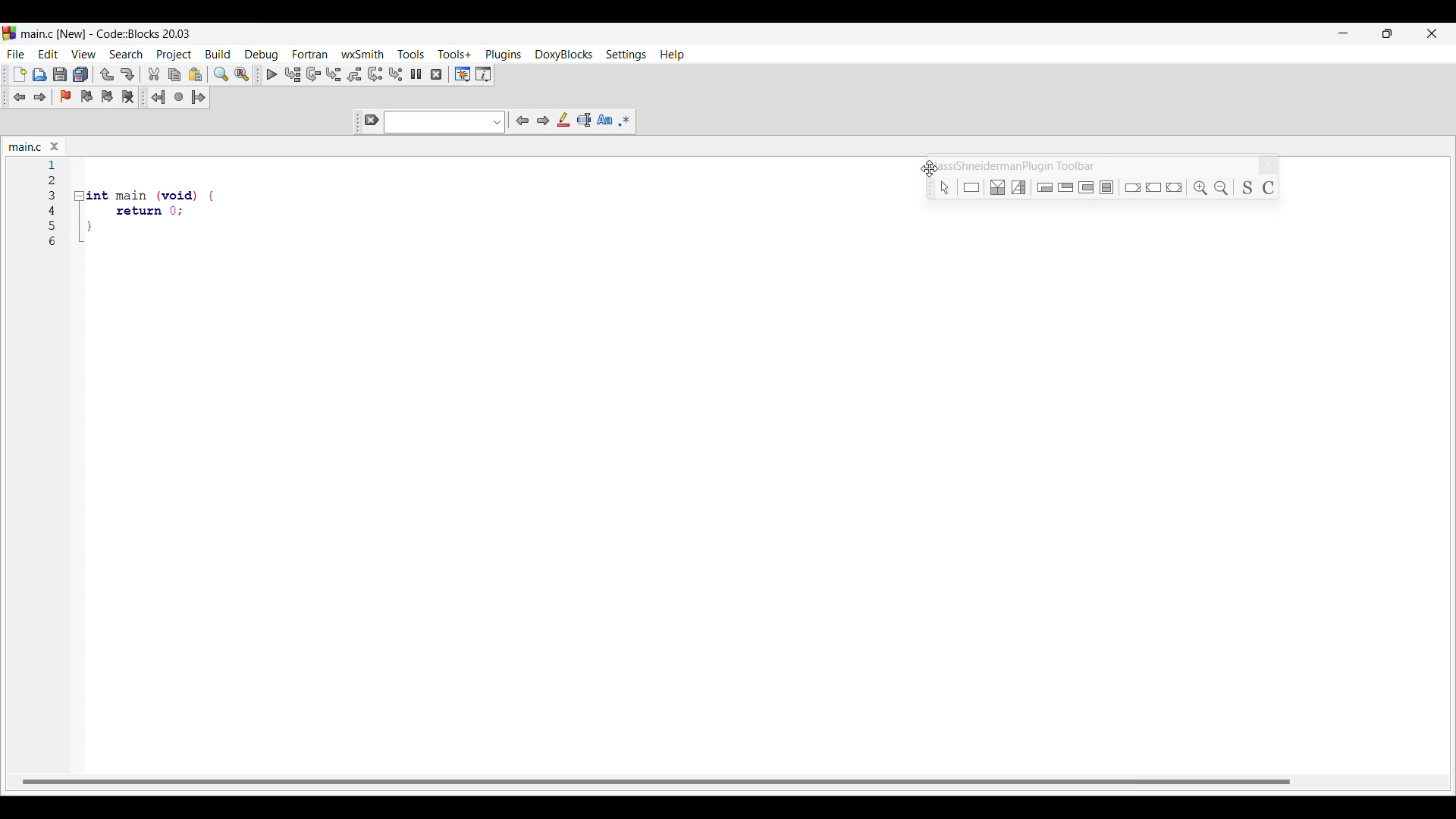  Describe the element at coordinates (1344, 33) in the screenshot. I see `Minimize` at that location.